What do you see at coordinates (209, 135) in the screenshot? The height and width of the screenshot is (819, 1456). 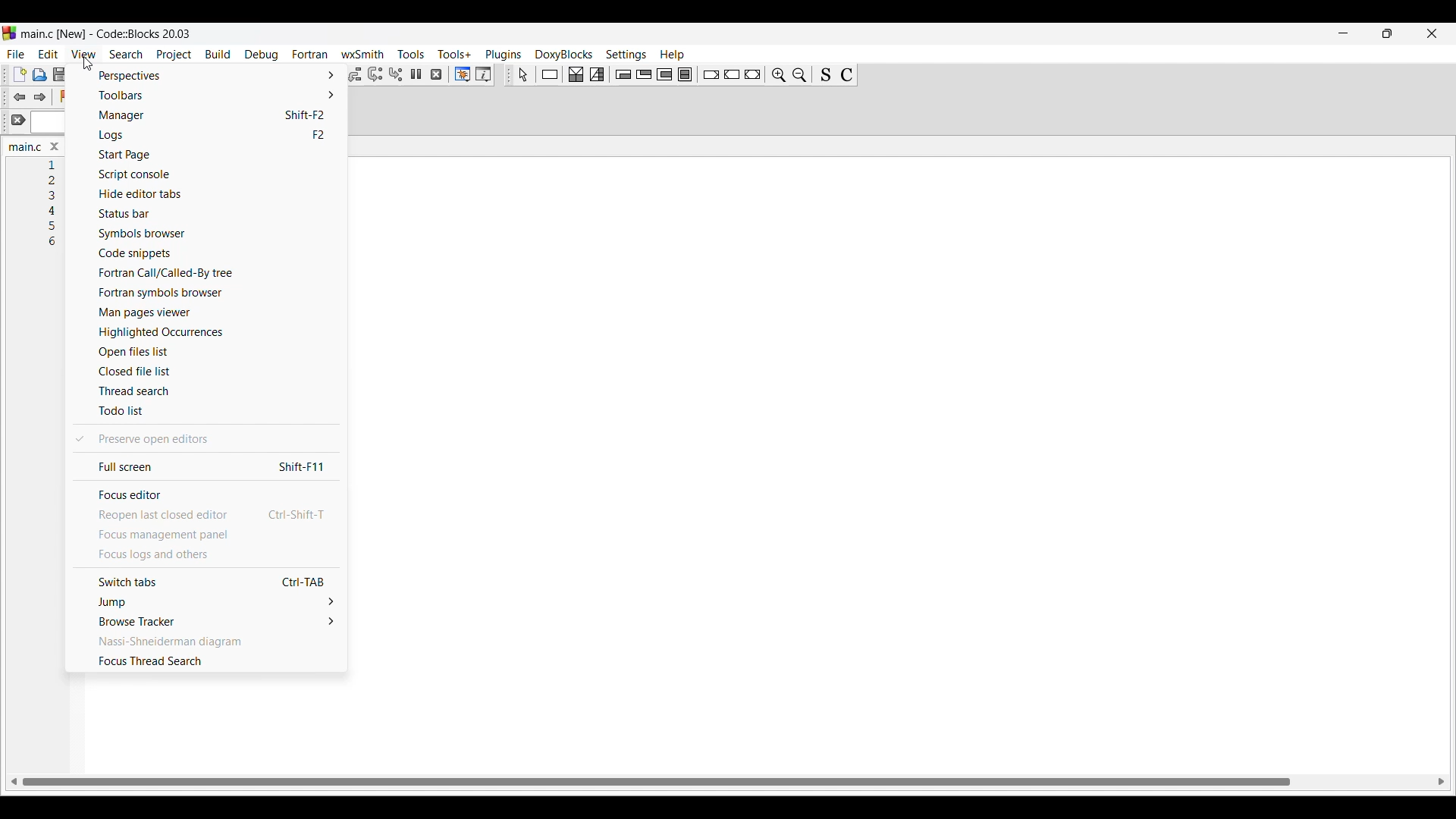 I see `Logs` at bounding box center [209, 135].